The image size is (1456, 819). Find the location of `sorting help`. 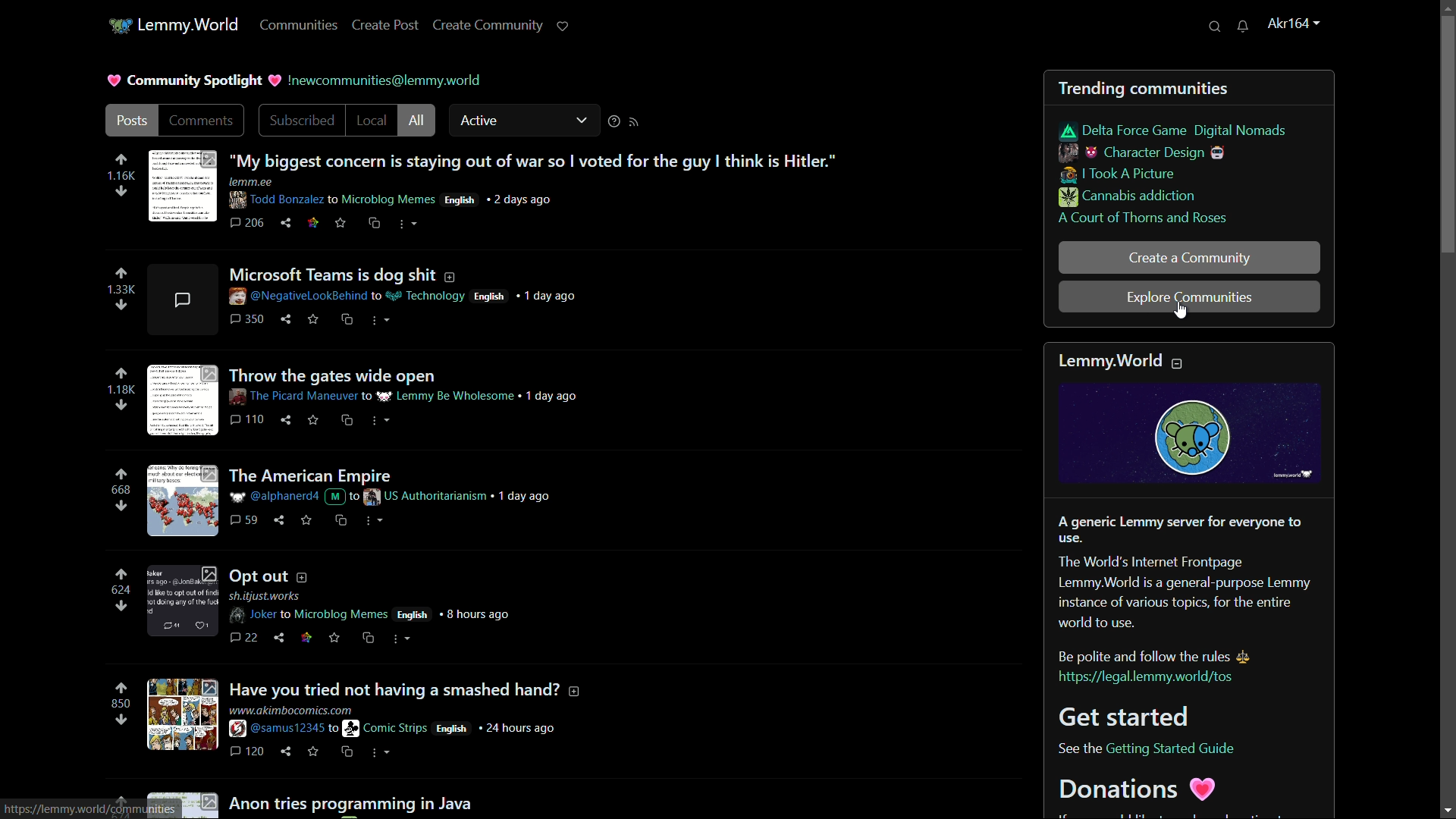

sorting help is located at coordinates (612, 121).